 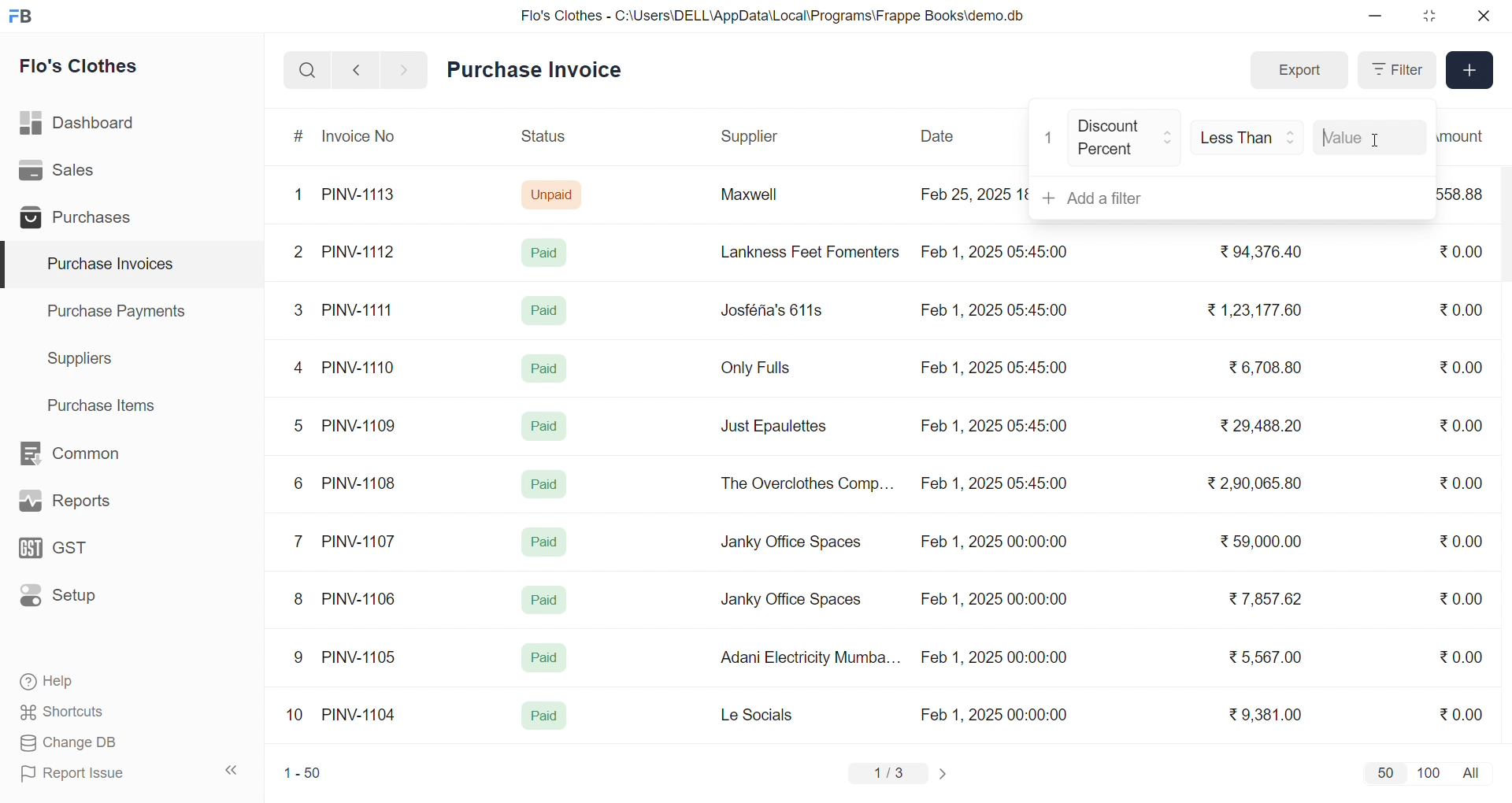 I want to click on Paid, so click(x=543, y=658).